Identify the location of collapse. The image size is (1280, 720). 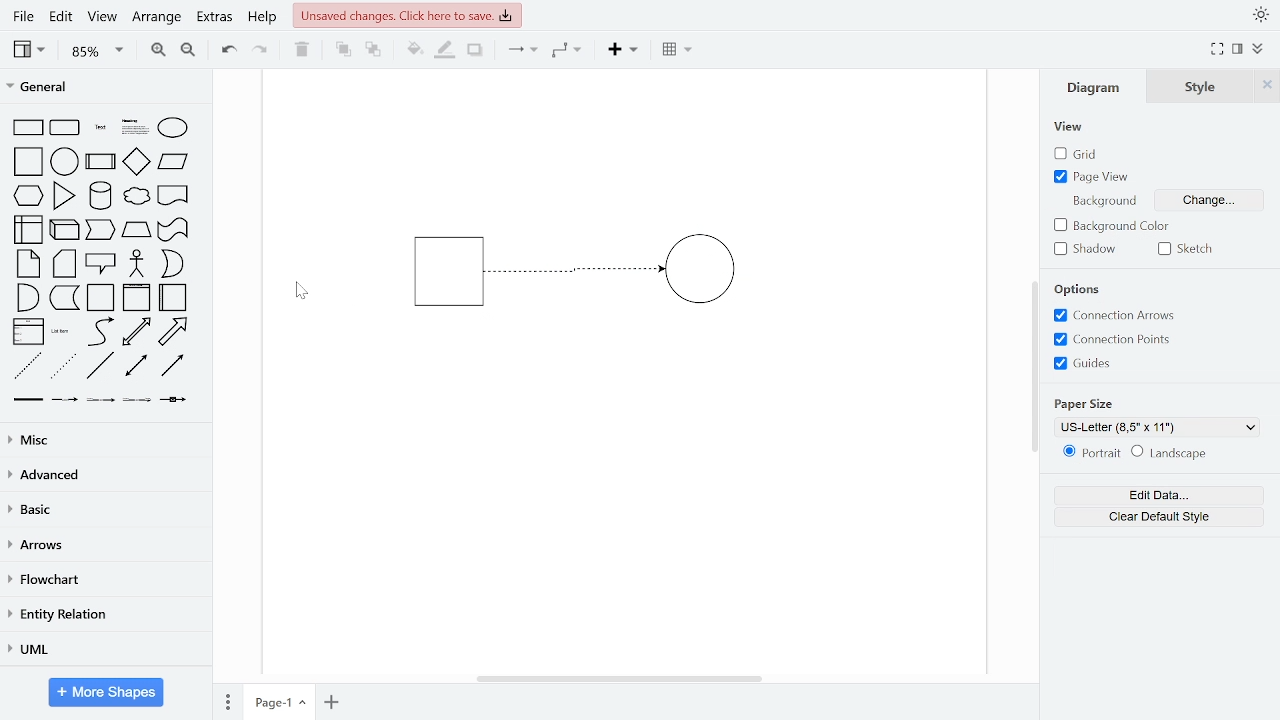
(1260, 50).